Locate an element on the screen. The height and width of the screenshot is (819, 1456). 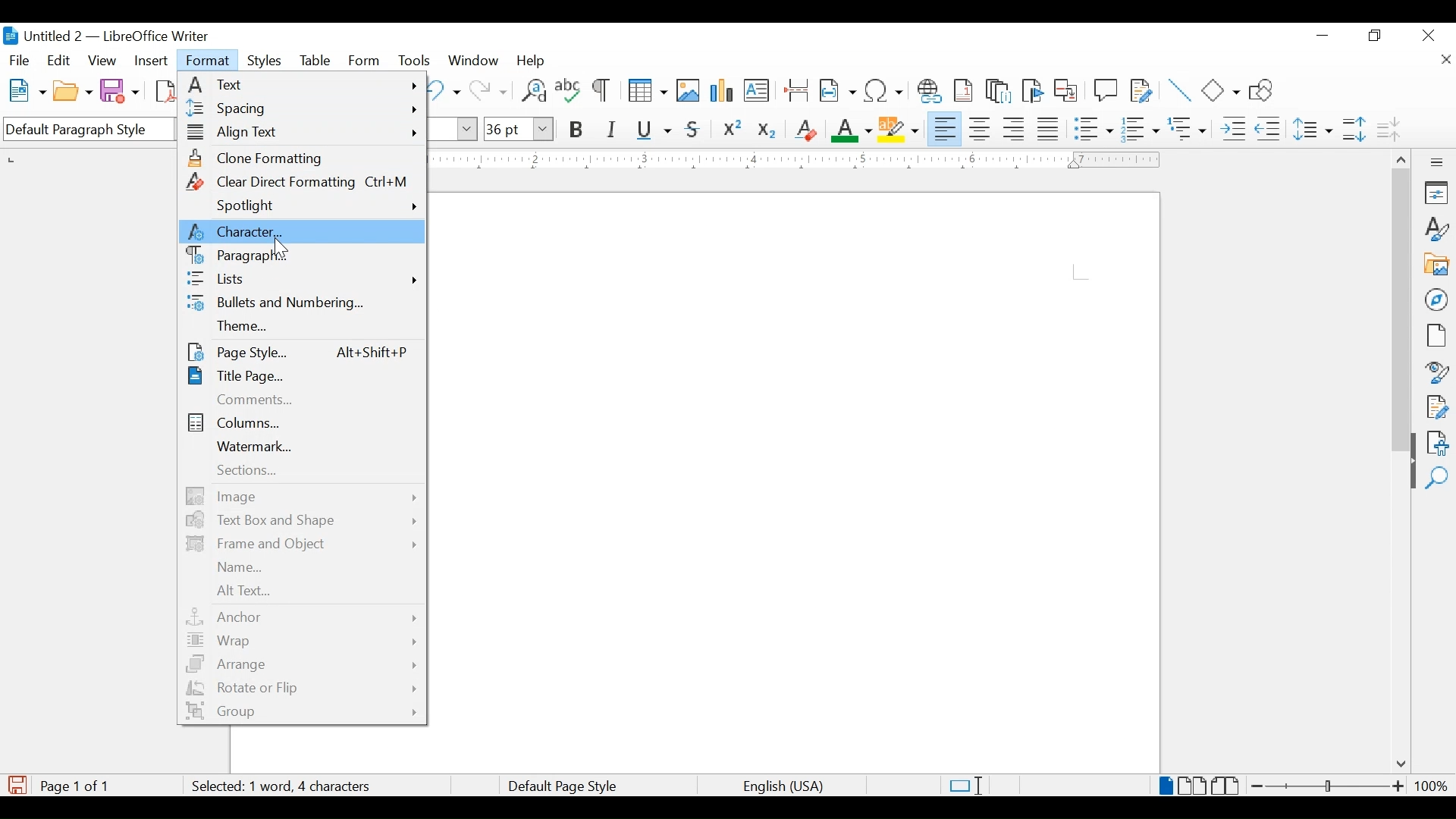
more options is located at coordinates (1439, 162).